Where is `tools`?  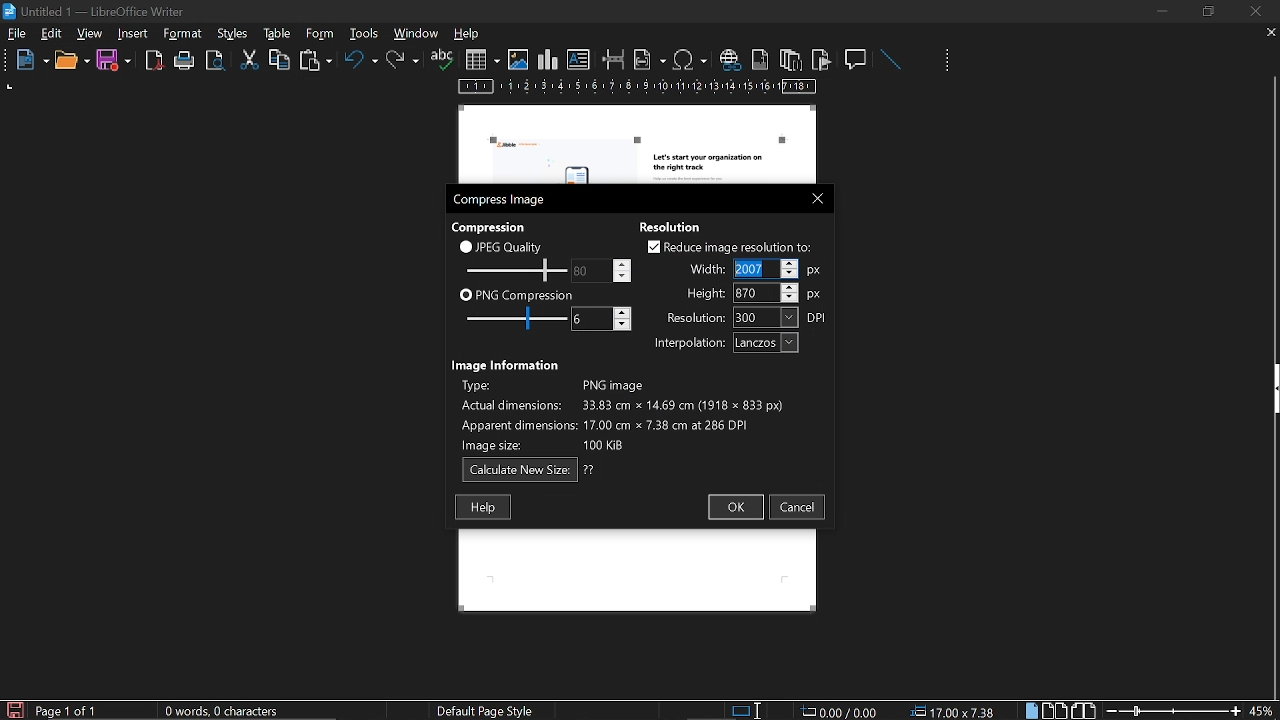 tools is located at coordinates (186, 34).